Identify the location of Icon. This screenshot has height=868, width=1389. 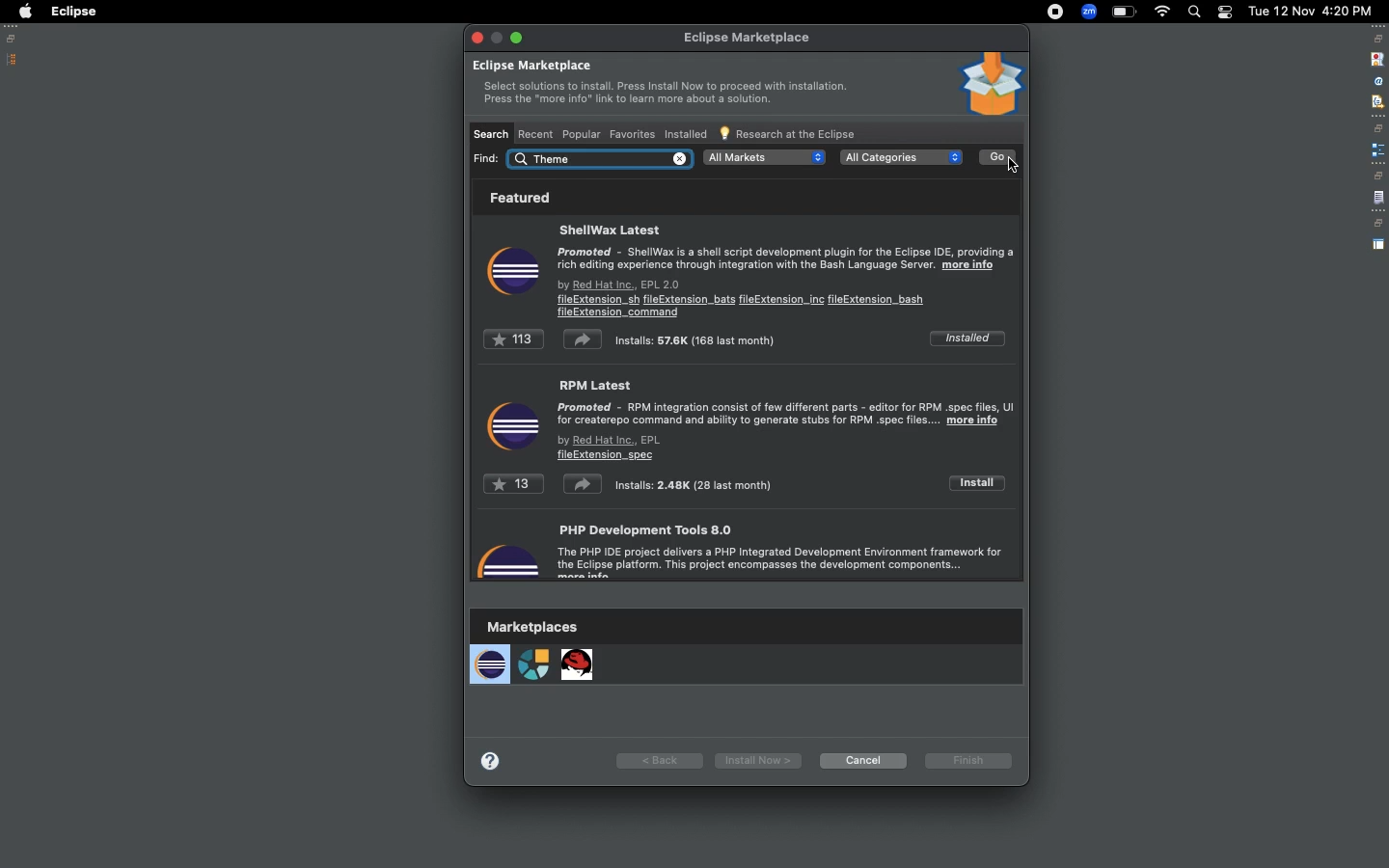
(511, 427).